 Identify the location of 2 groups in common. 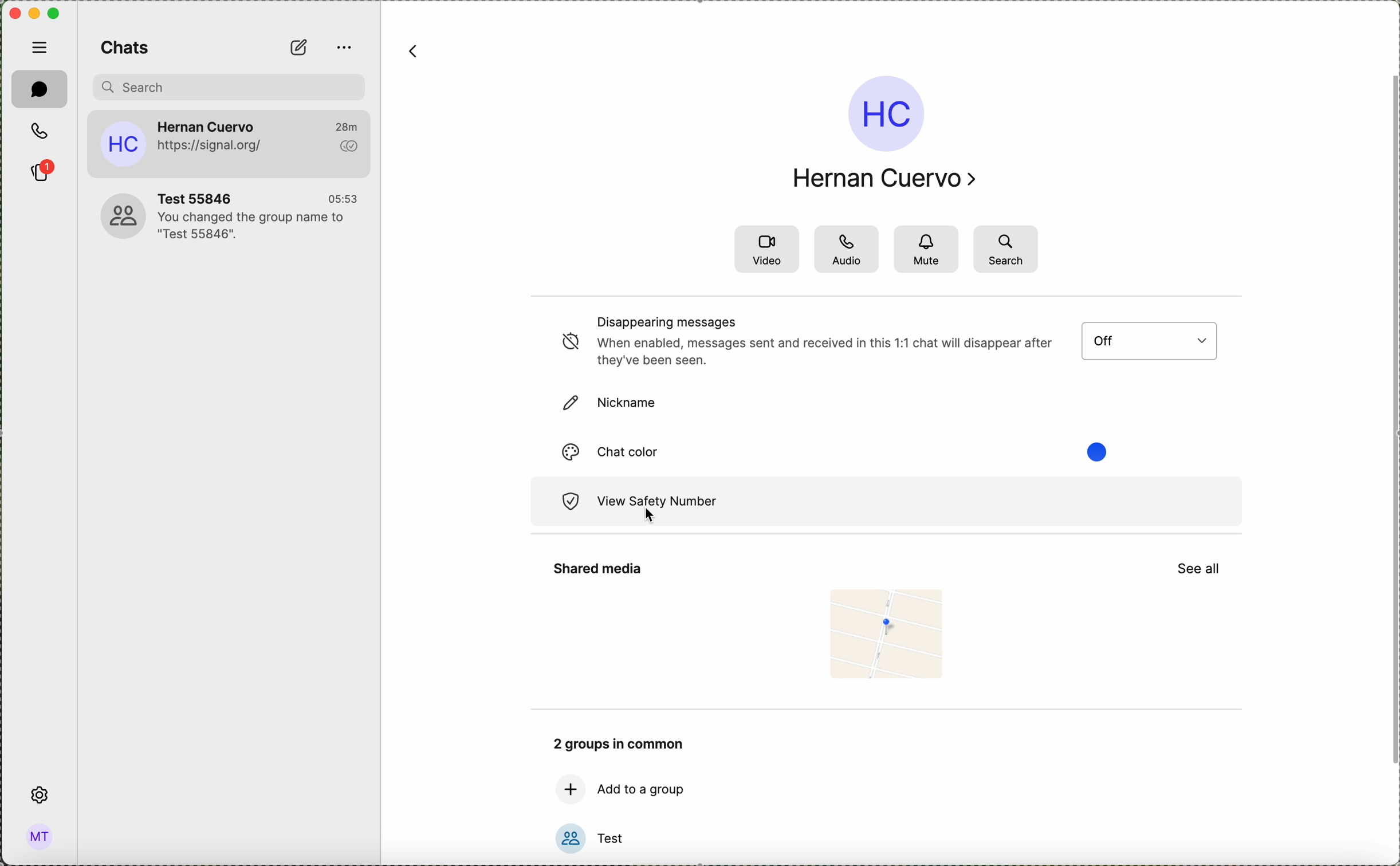
(619, 743).